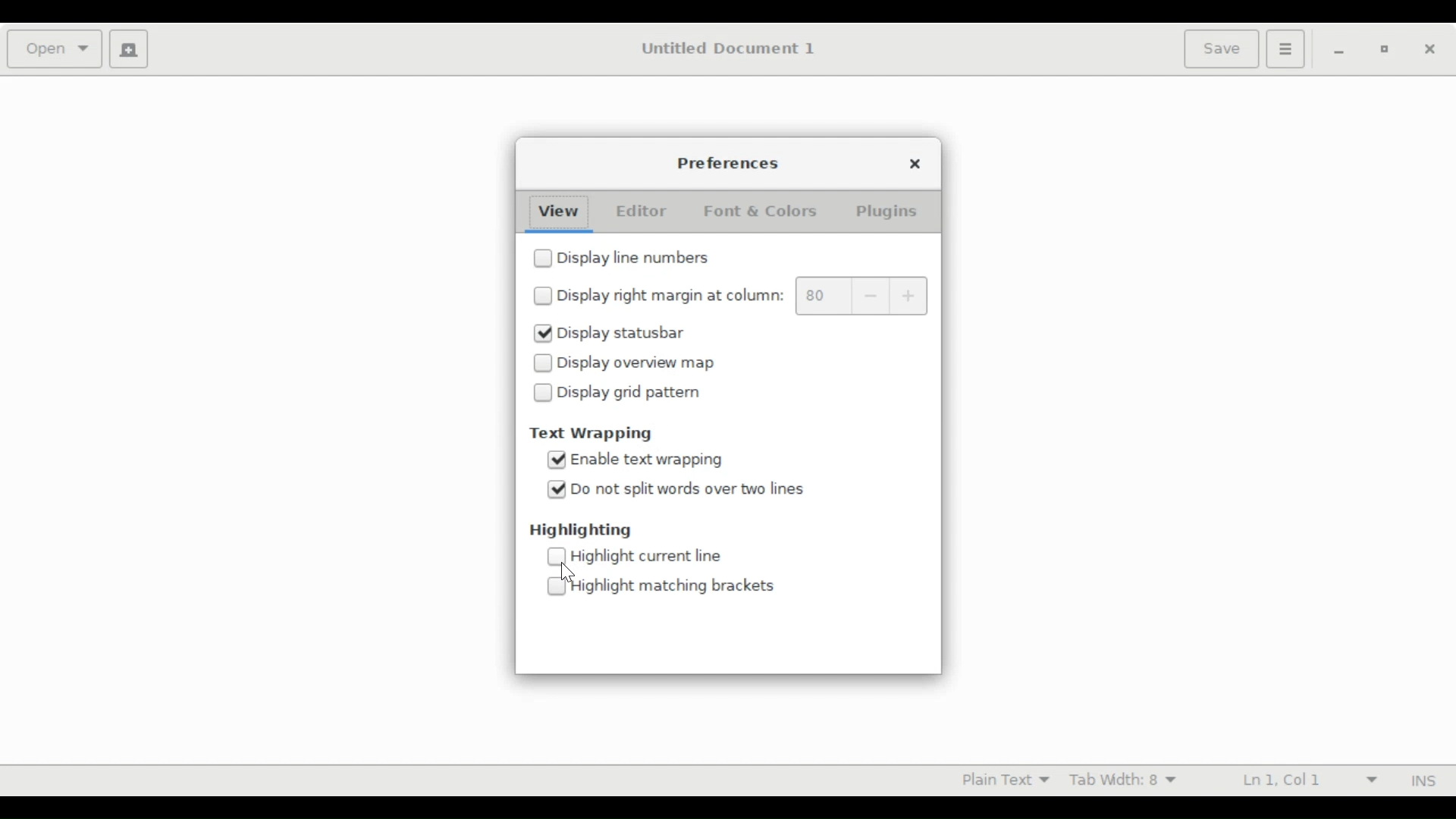 This screenshot has width=1456, height=819. What do you see at coordinates (1221, 48) in the screenshot?
I see `Save` at bounding box center [1221, 48].